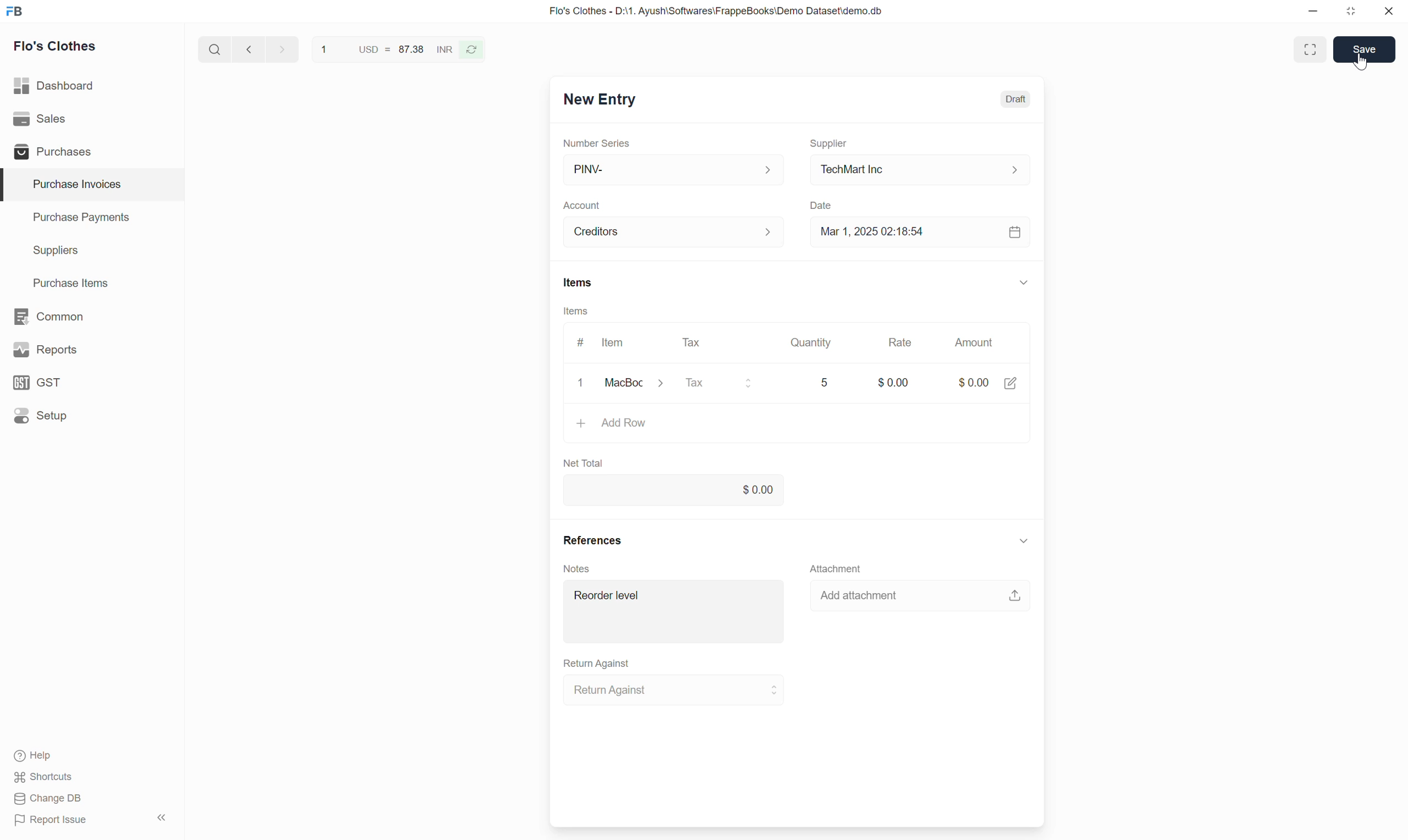  I want to click on 1 USD = 87.38 INR, so click(385, 49).